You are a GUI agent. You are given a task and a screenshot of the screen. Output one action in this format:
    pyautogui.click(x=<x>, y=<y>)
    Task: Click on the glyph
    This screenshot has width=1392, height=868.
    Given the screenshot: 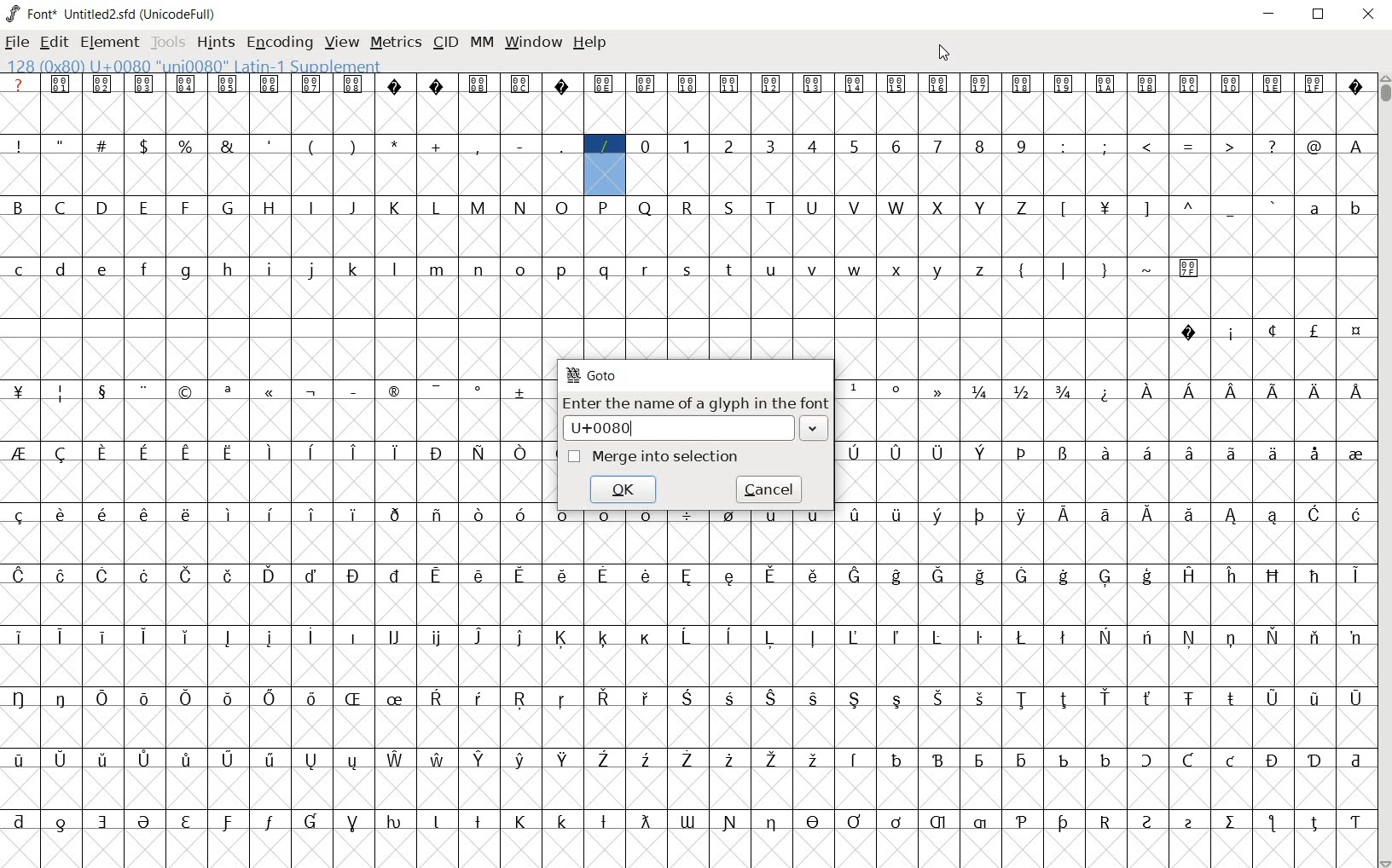 What is the action you would take?
    pyautogui.click(x=898, y=760)
    